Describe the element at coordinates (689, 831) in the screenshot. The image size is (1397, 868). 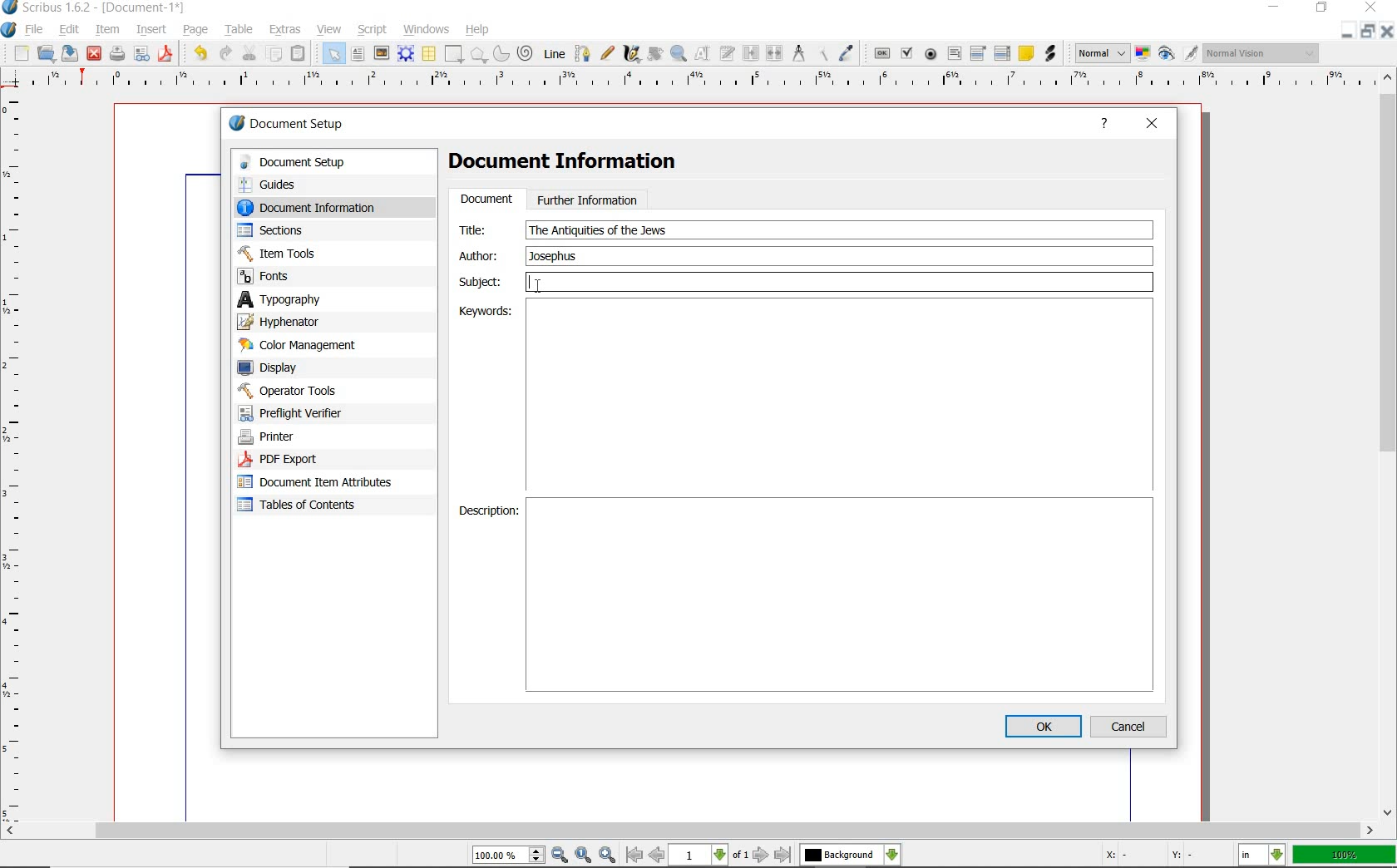
I see `scrollbar` at that location.